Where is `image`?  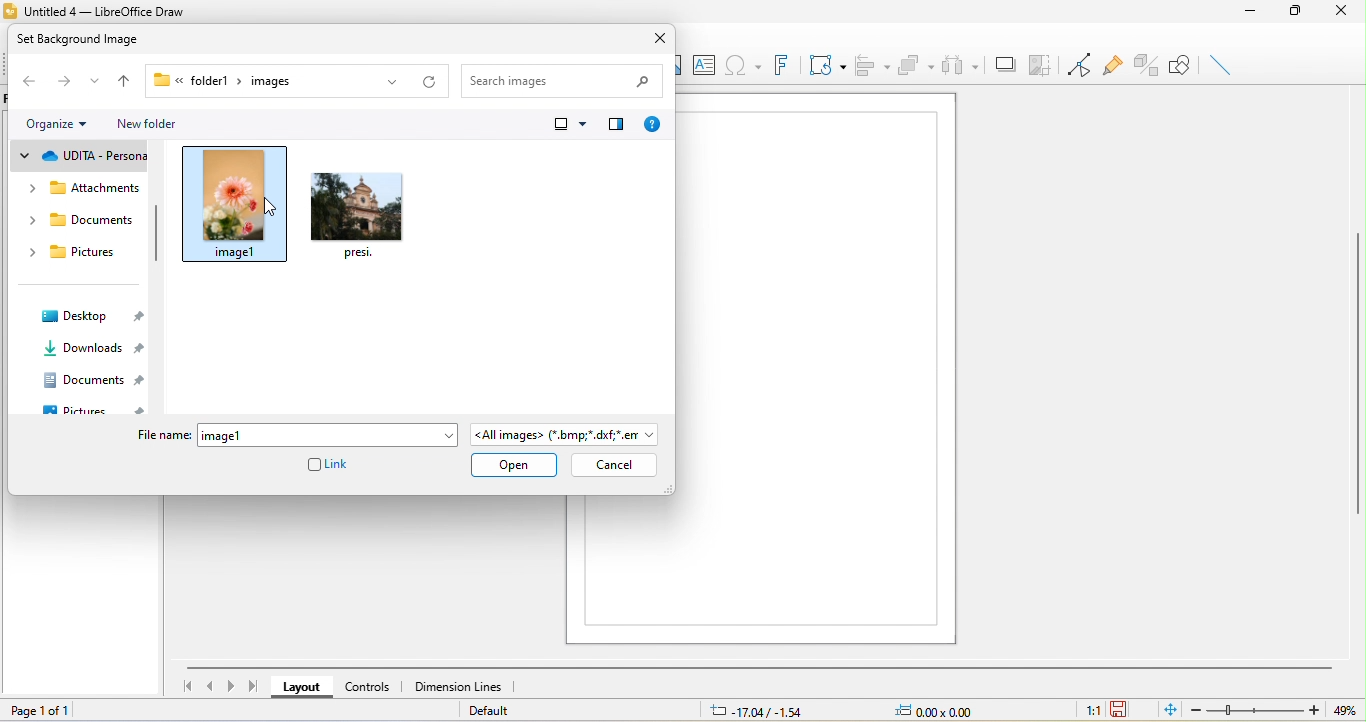
image is located at coordinates (364, 217).